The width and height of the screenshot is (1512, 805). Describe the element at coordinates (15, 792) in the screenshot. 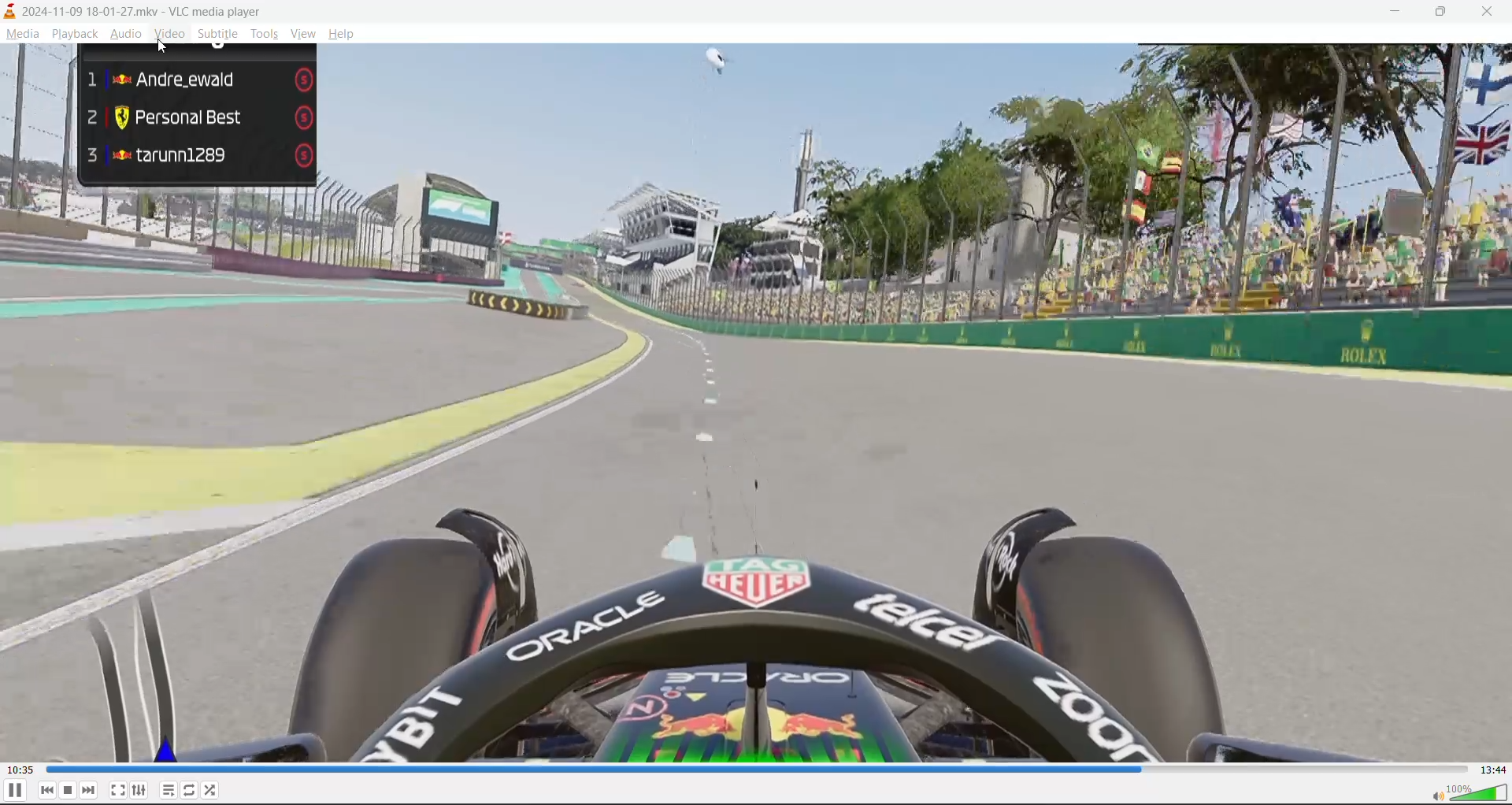

I see `pause` at that location.